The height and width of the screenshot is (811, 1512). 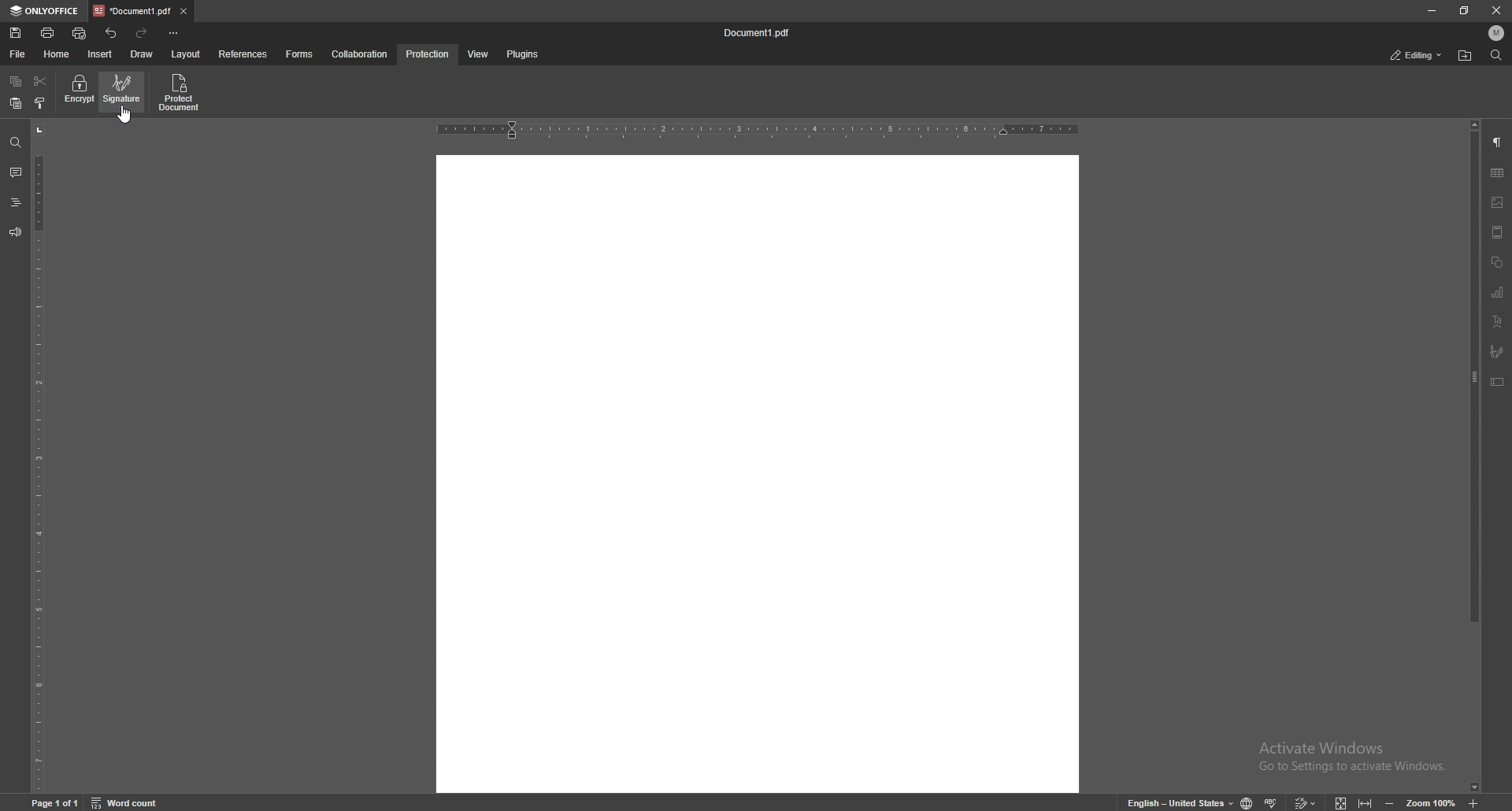 I want to click on undo, so click(x=113, y=33).